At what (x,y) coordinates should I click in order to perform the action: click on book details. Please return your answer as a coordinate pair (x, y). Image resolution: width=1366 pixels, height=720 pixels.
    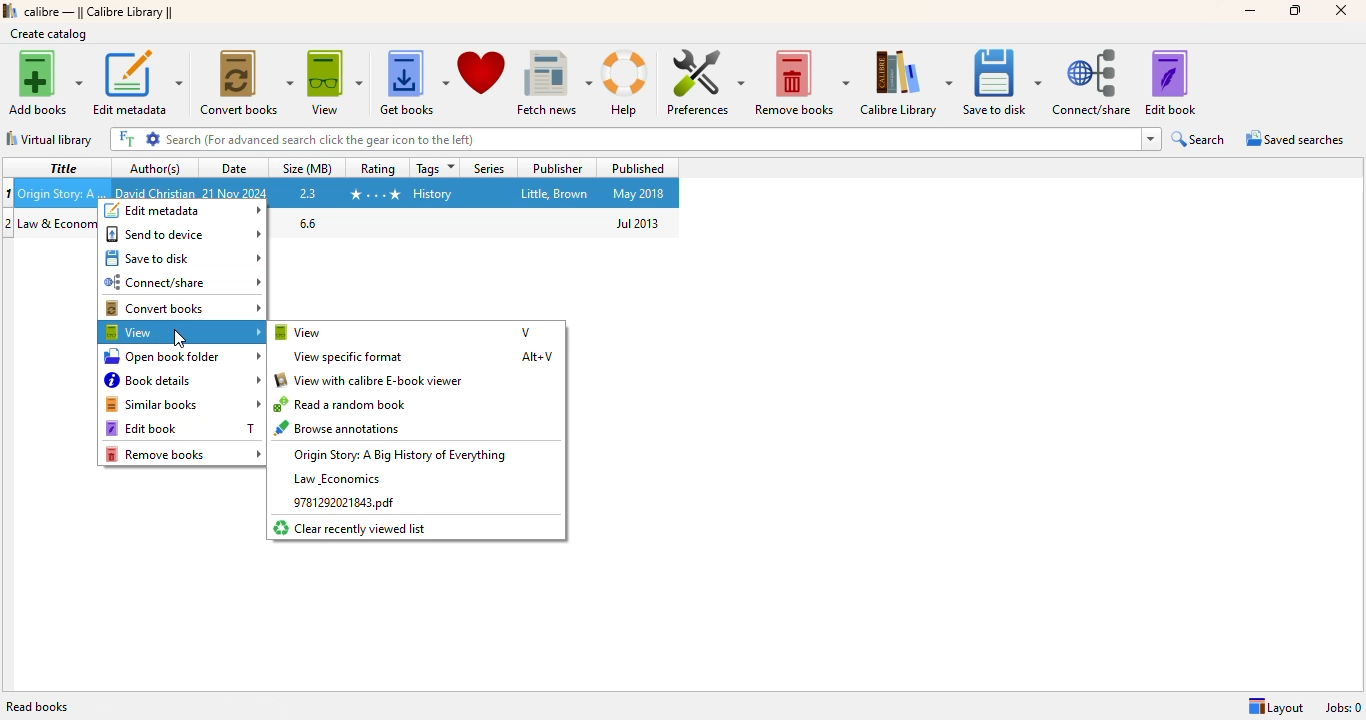
    Looking at the image, I should click on (182, 380).